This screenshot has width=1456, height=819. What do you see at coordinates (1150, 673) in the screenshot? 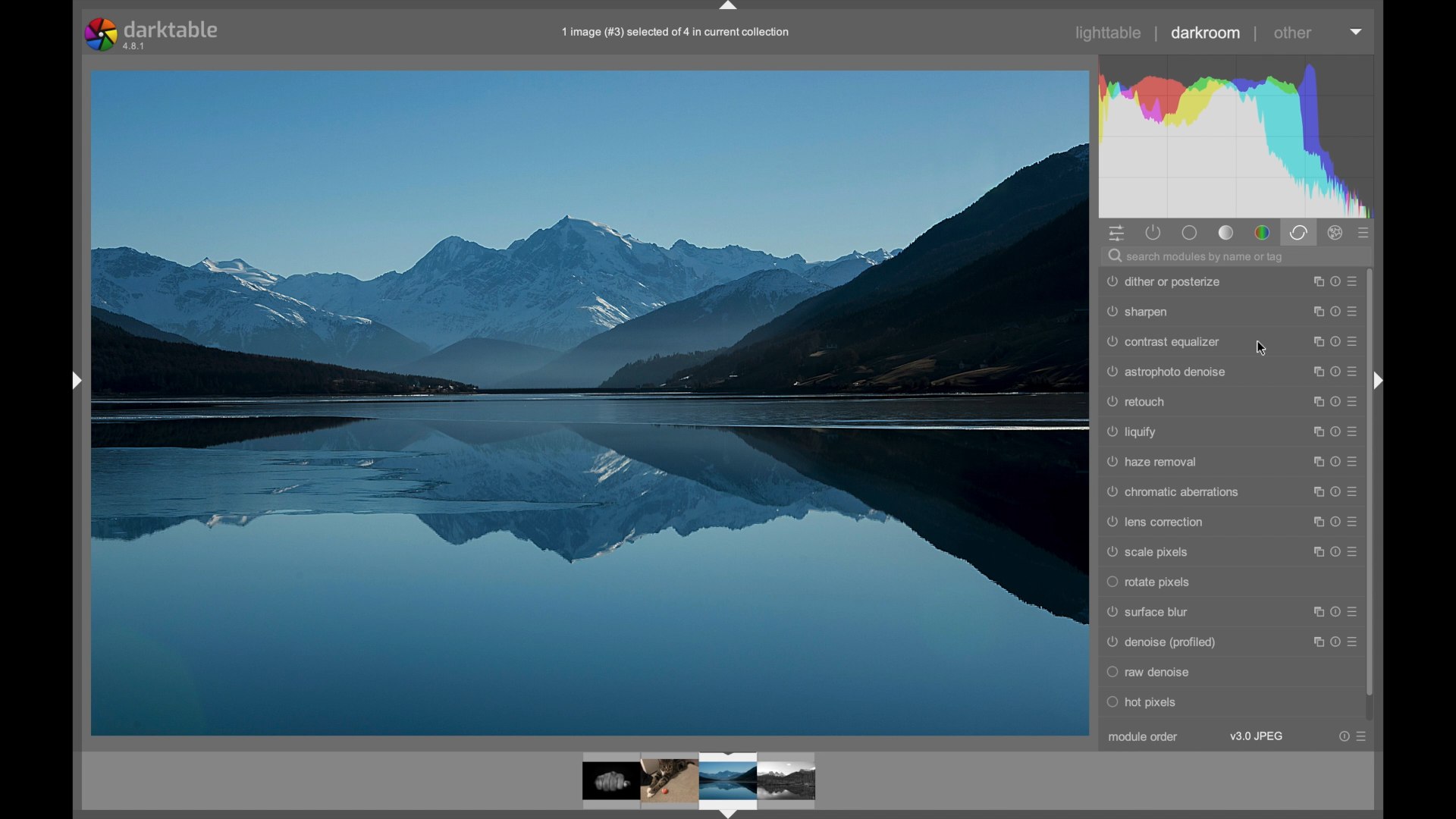
I see `raw denoise` at bounding box center [1150, 673].